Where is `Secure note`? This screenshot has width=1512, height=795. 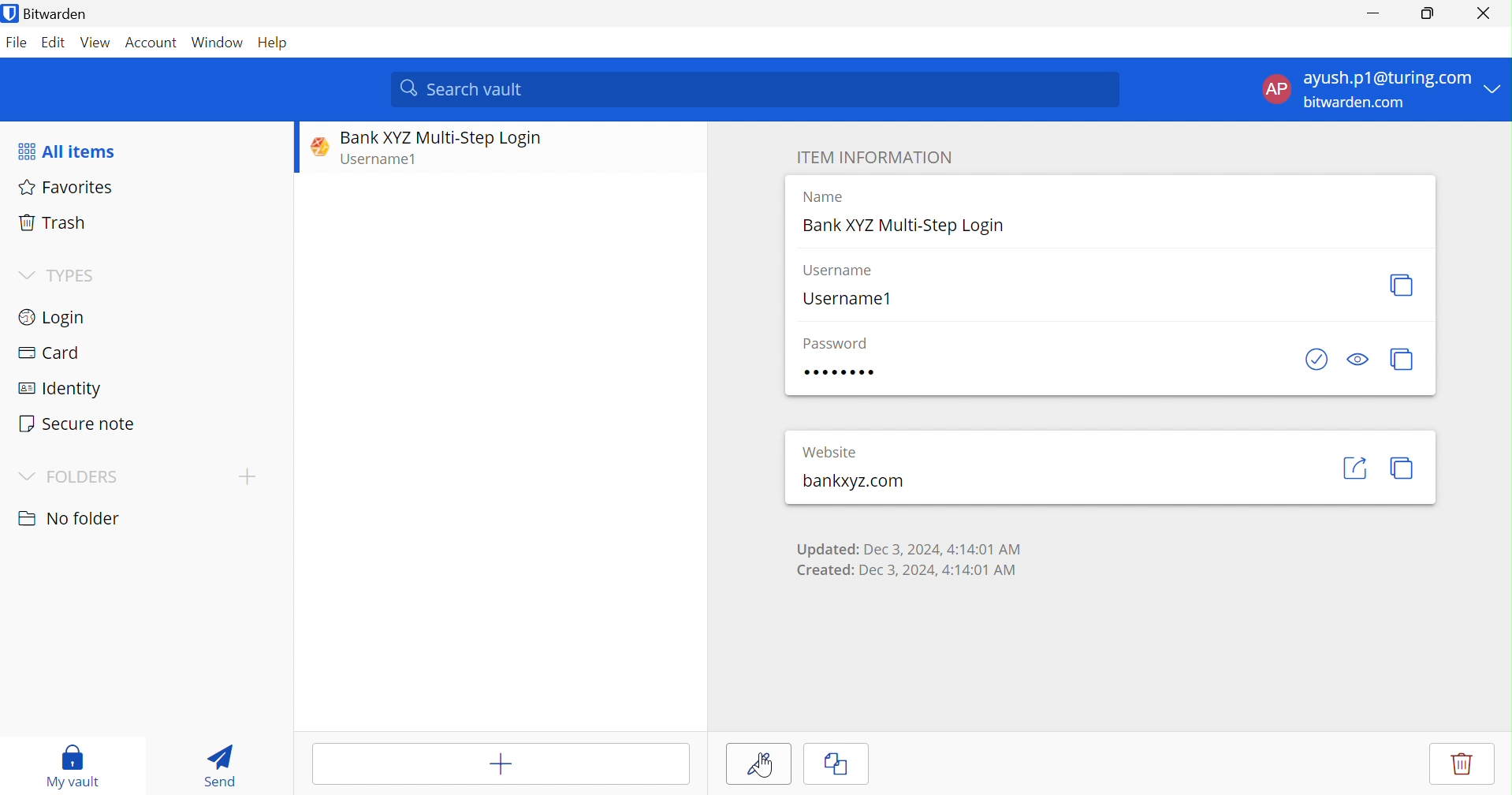 Secure note is located at coordinates (77, 424).